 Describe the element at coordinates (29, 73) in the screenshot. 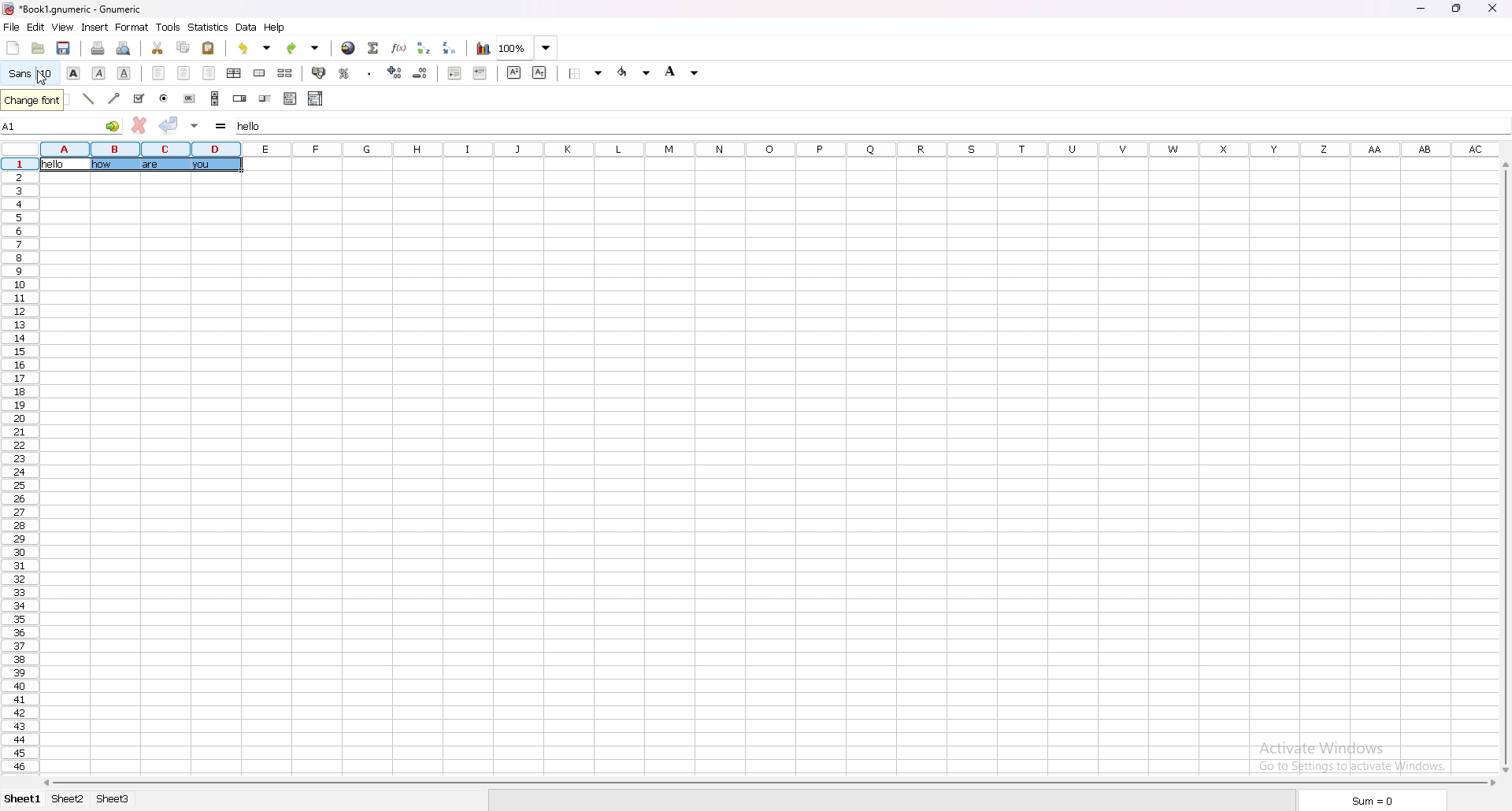

I see `font` at that location.